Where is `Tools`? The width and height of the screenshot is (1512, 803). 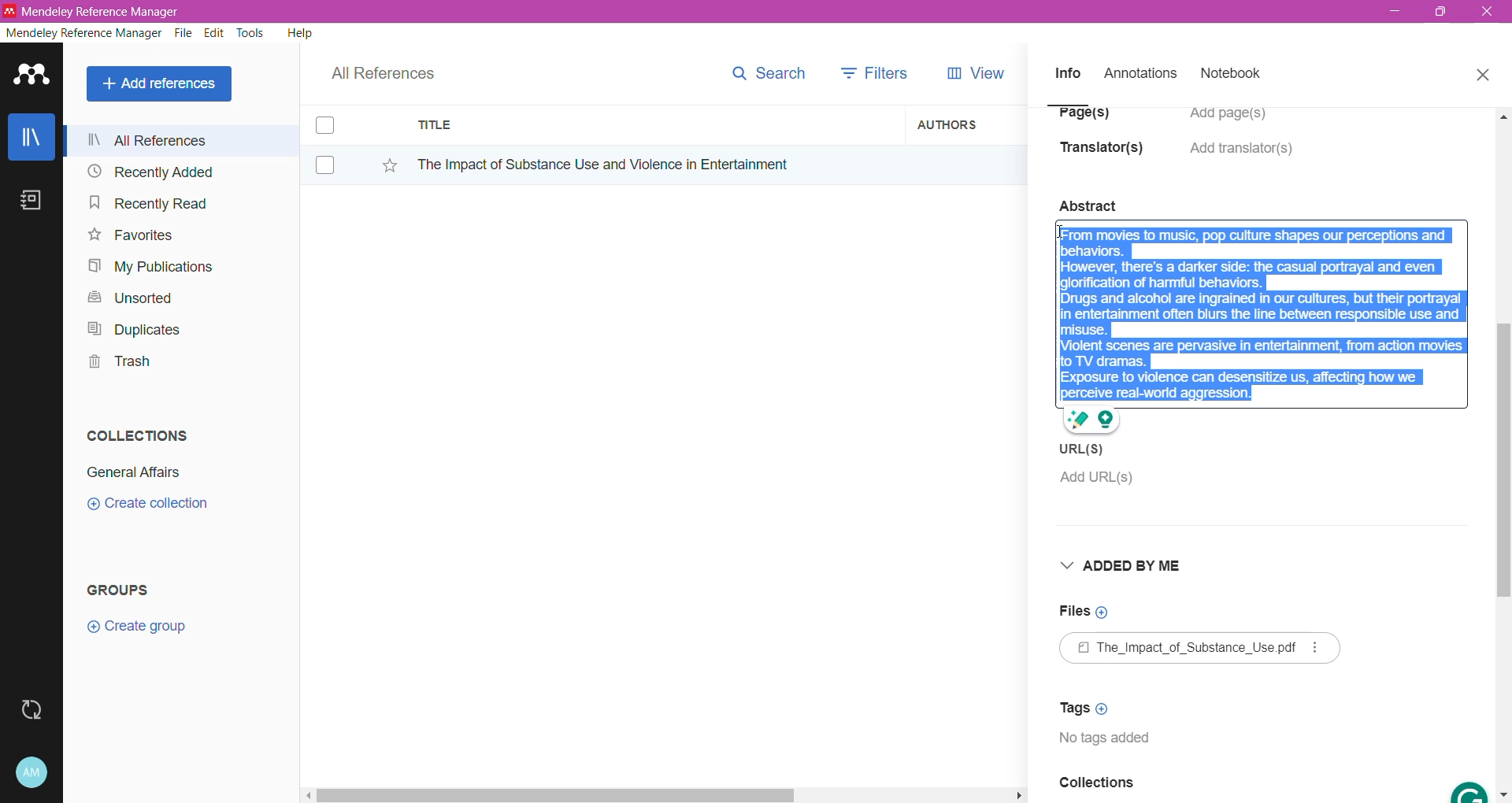 Tools is located at coordinates (251, 33).